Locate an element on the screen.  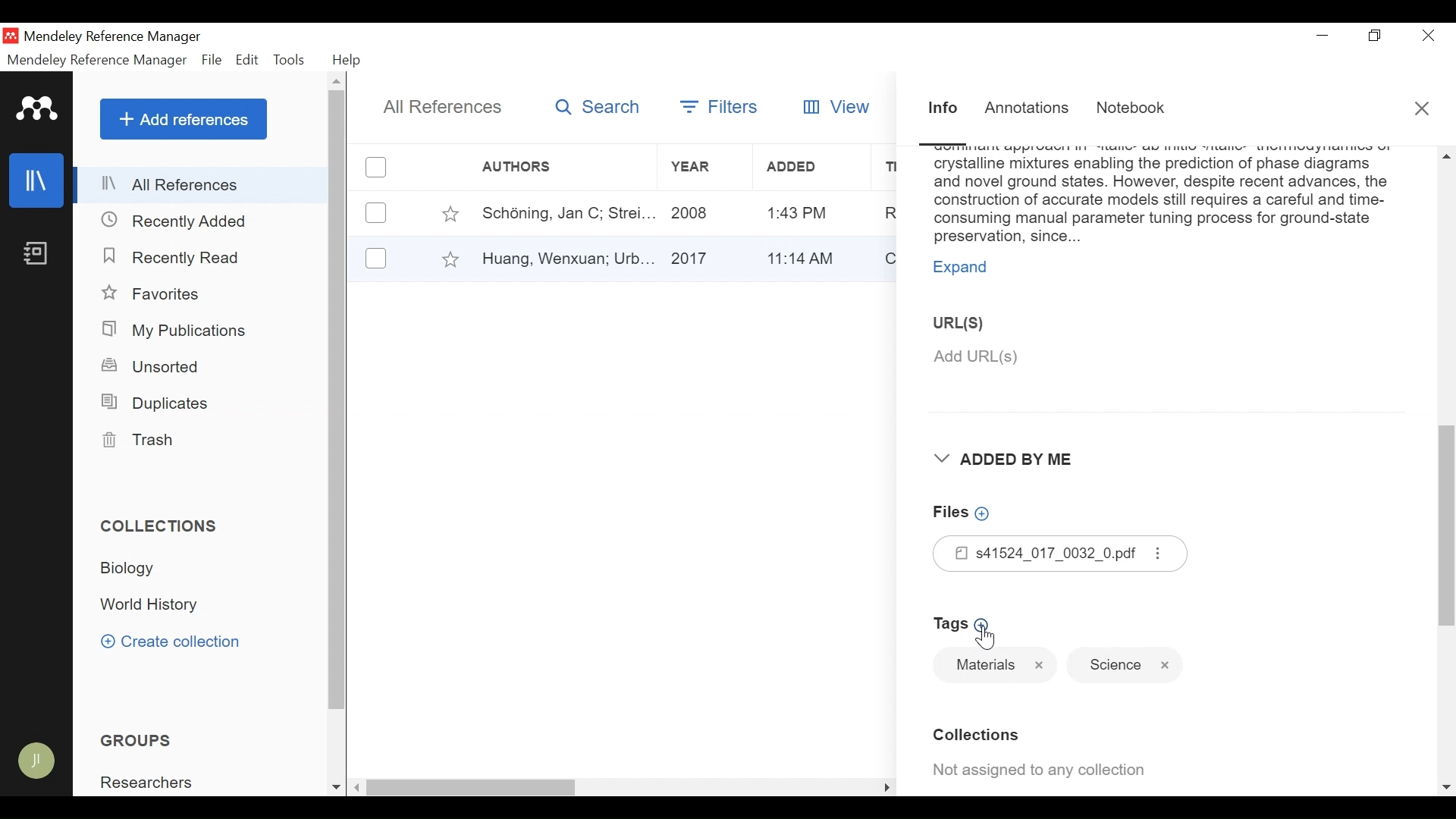
Add References is located at coordinates (184, 119).